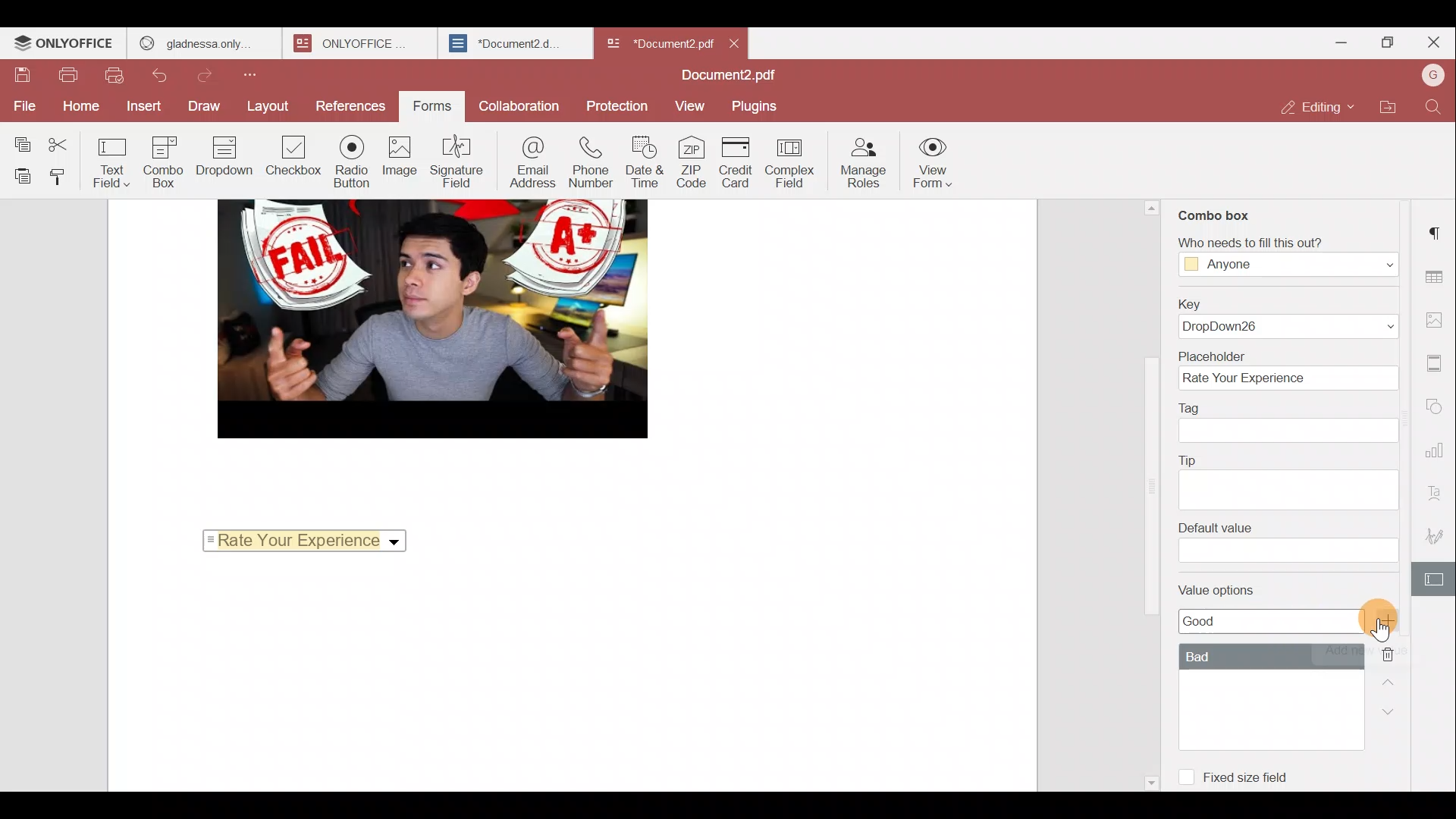  Describe the element at coordinates (1433, 110) in the screenshot. I see `Find` at that location.